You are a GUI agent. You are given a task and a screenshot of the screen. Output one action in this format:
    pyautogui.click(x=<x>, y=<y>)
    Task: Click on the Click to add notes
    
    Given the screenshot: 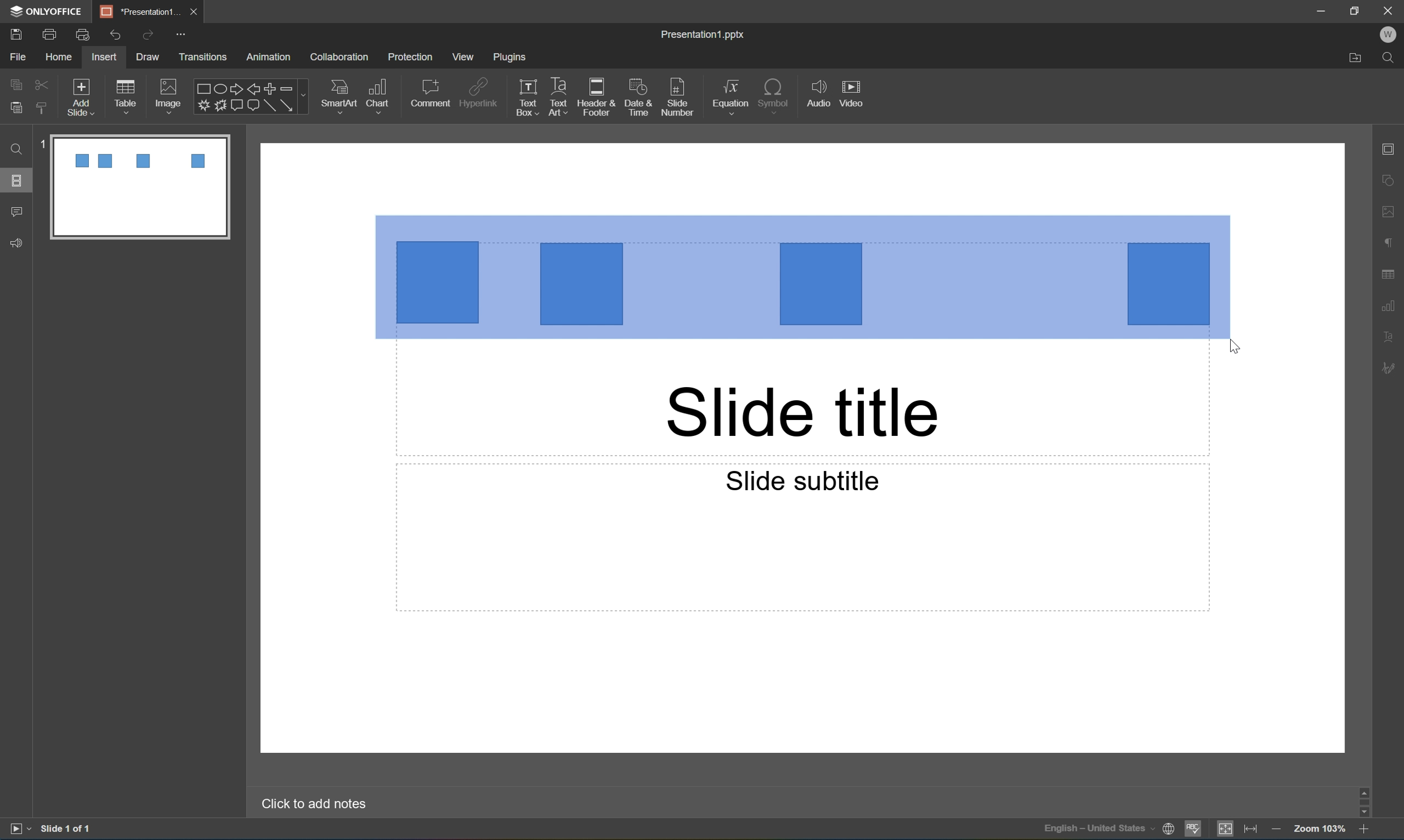 What is the action you would take?
    pyautogui.click(x=318, y=804)
    